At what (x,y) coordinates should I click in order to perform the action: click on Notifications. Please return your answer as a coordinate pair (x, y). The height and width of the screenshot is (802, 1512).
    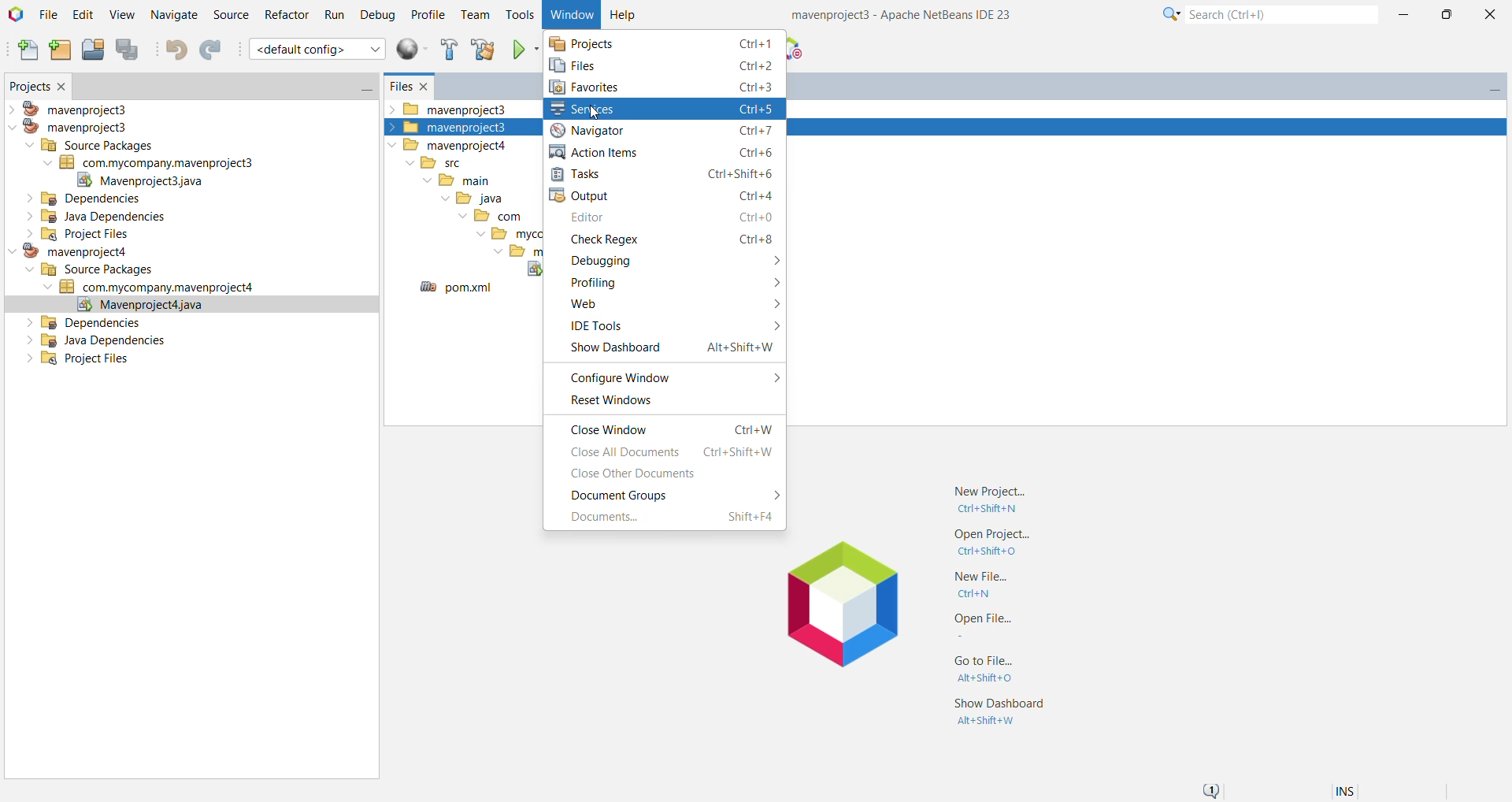
    Looking at the image, I should click on (1214, 788).